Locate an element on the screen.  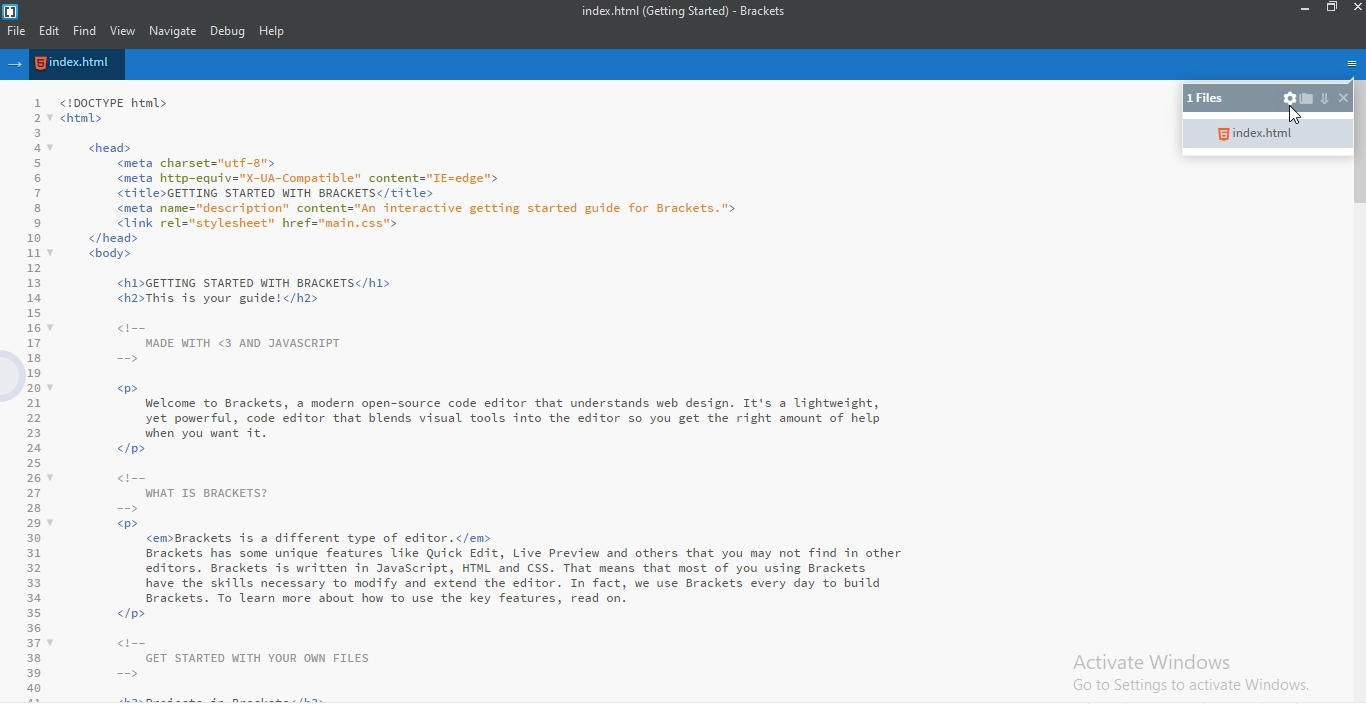
close is located at coordinates (1335, 97).